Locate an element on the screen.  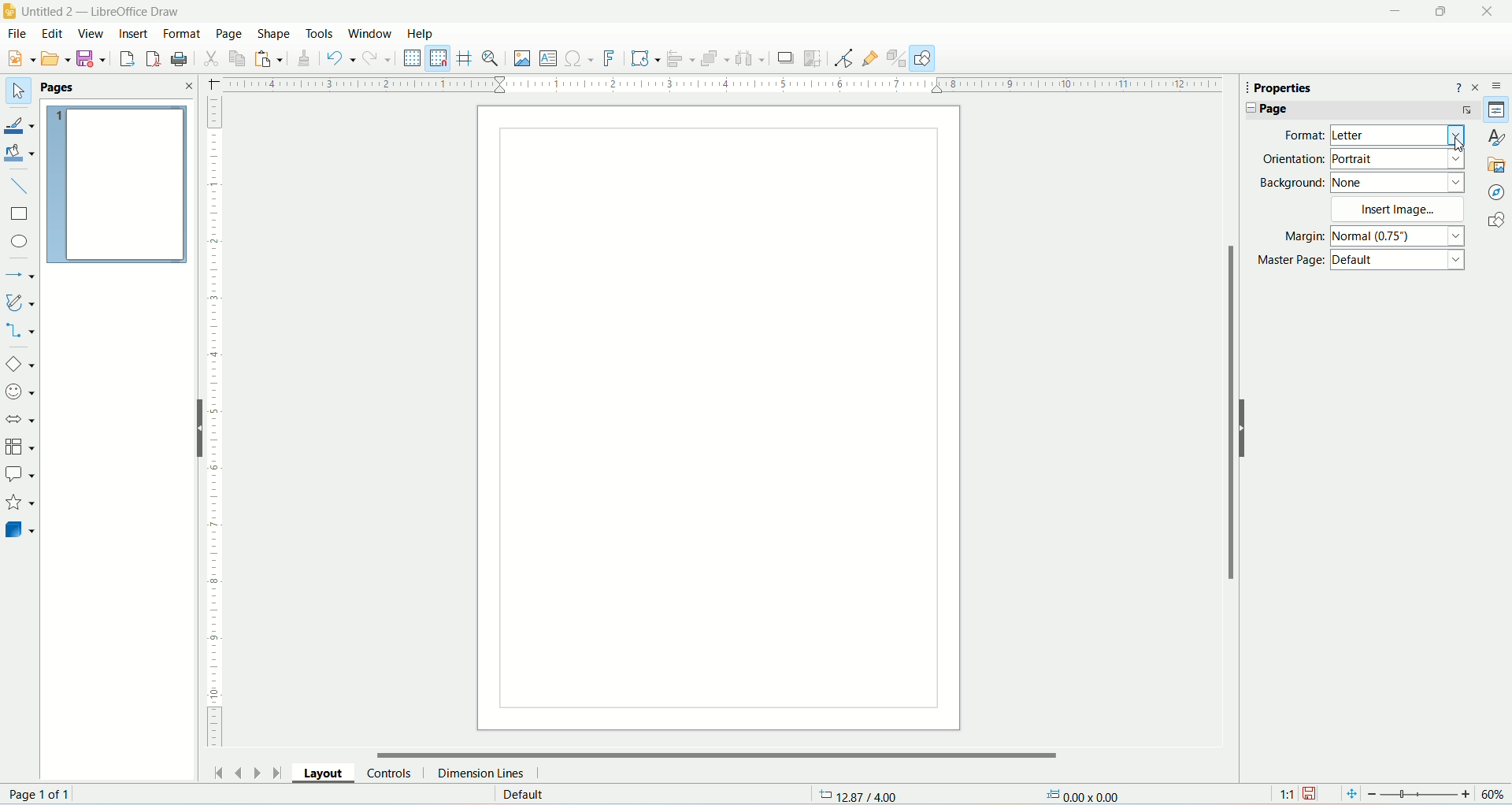
format is located at coordinates (1372, 136).